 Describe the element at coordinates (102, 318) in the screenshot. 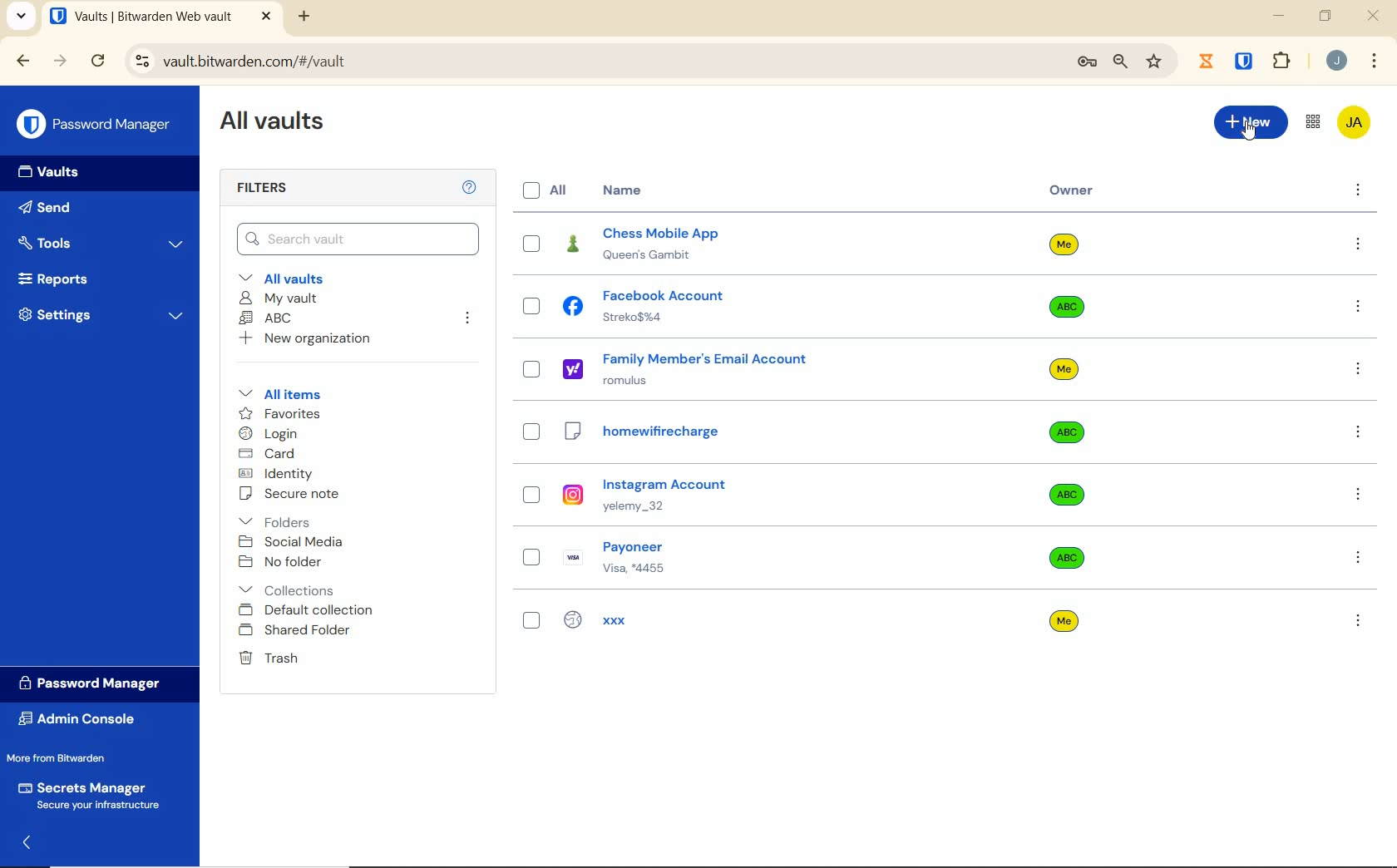

I see `Settings` at that location.